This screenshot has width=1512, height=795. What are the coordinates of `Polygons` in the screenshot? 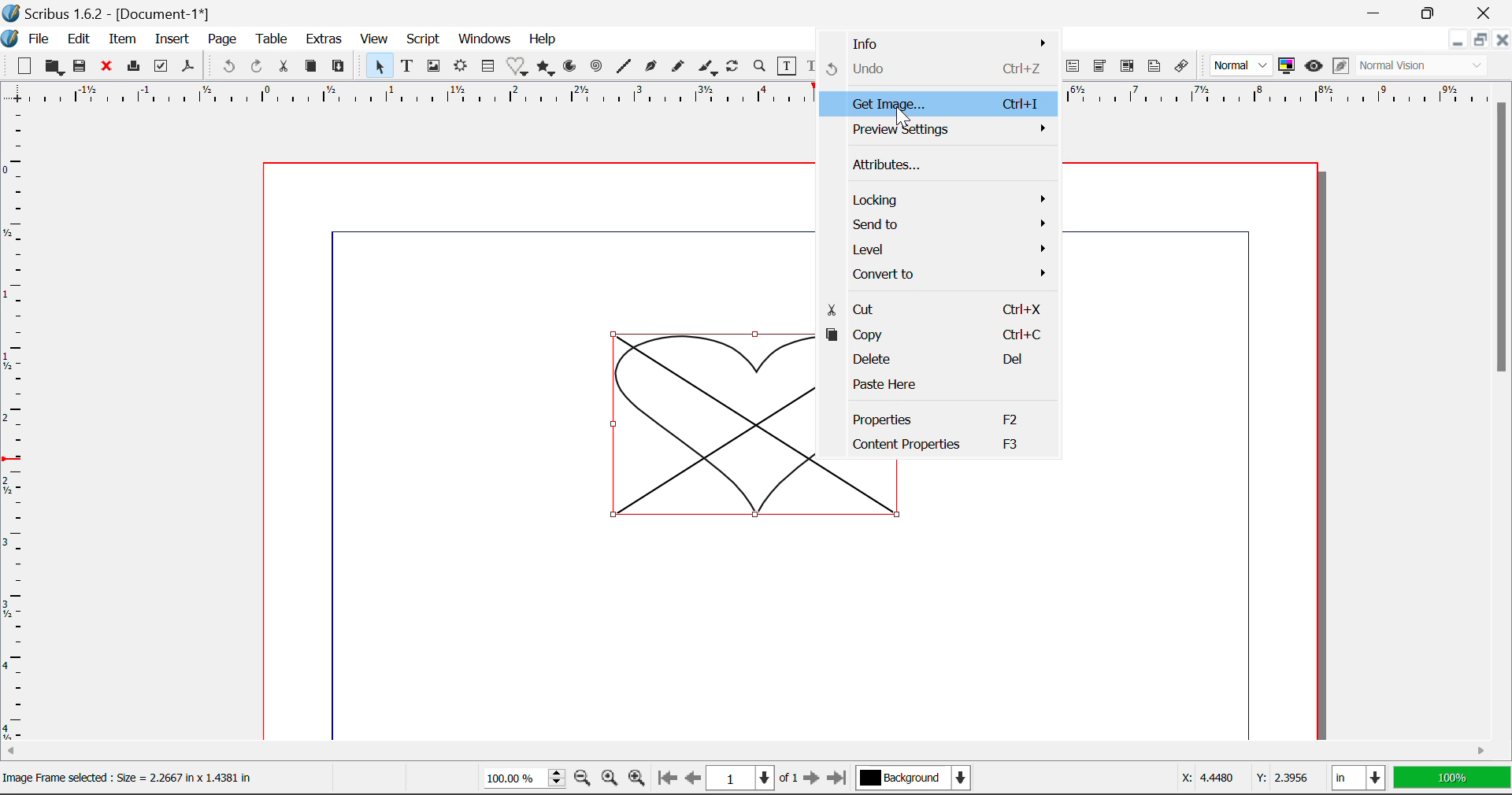 It's located at (547, 68).